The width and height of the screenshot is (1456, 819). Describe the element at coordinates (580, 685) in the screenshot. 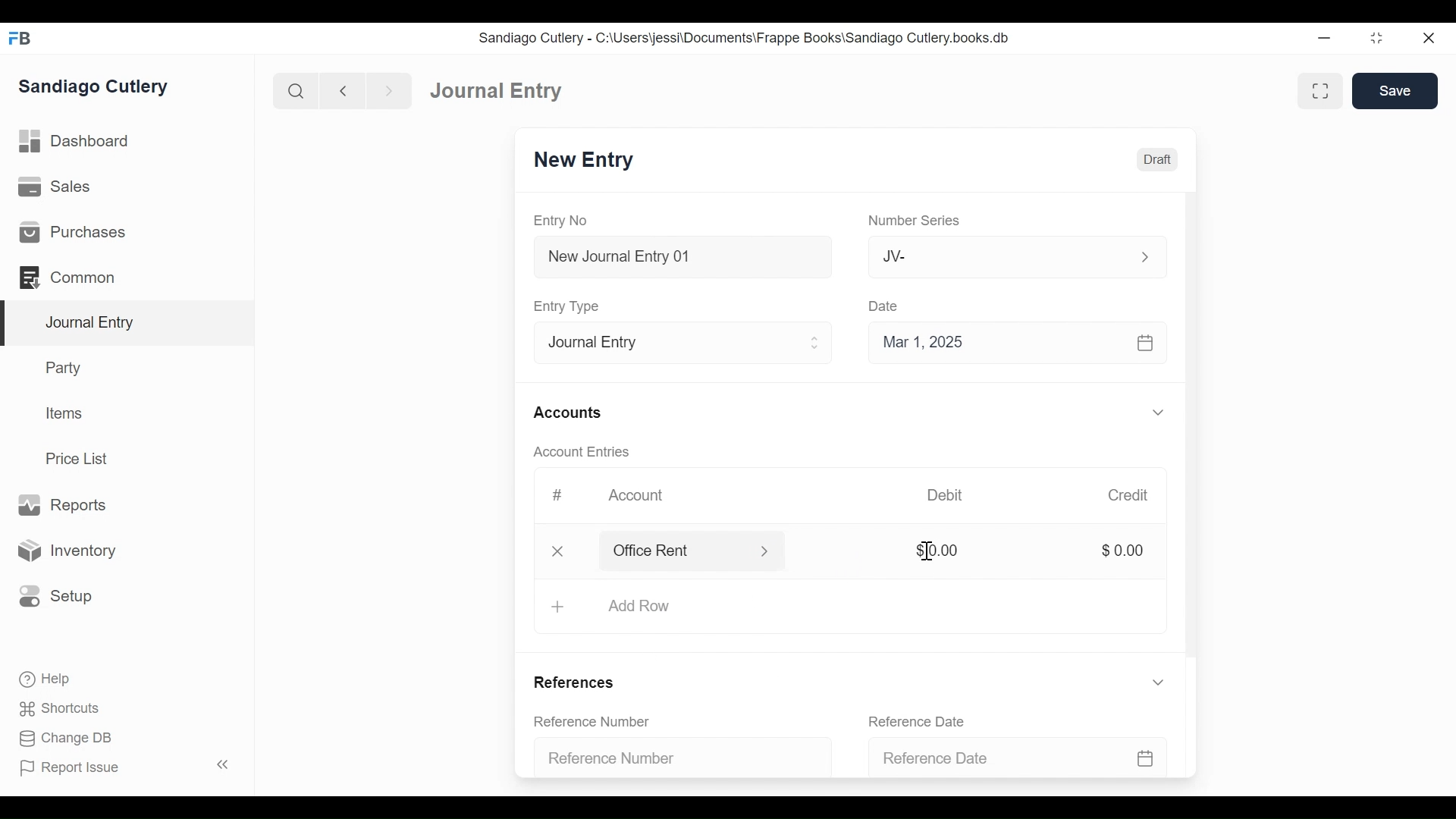

I see `References` at that location.